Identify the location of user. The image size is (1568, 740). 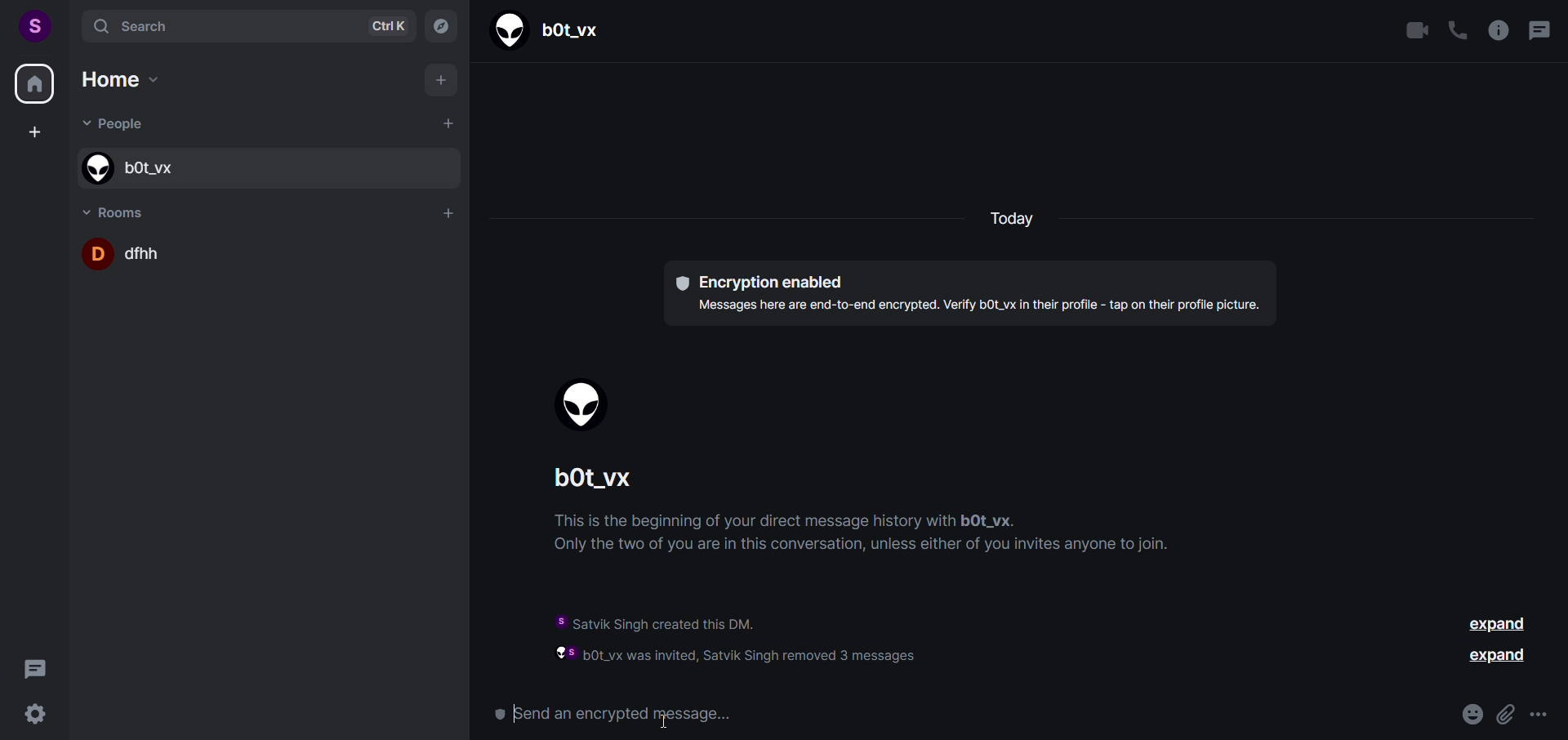
(33, 24).